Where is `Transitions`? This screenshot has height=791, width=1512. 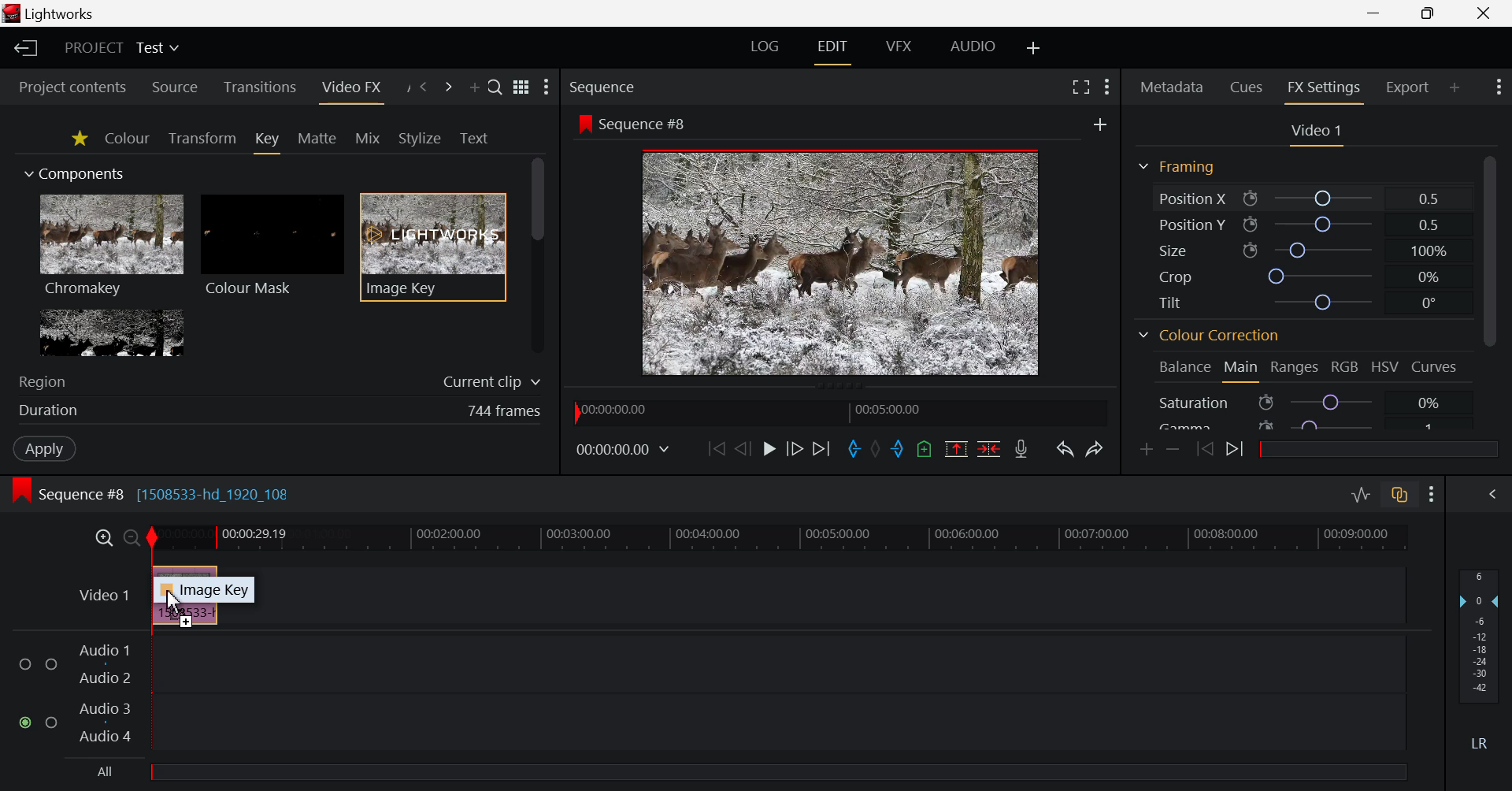 Transitions is located at coordinates (263, 85).